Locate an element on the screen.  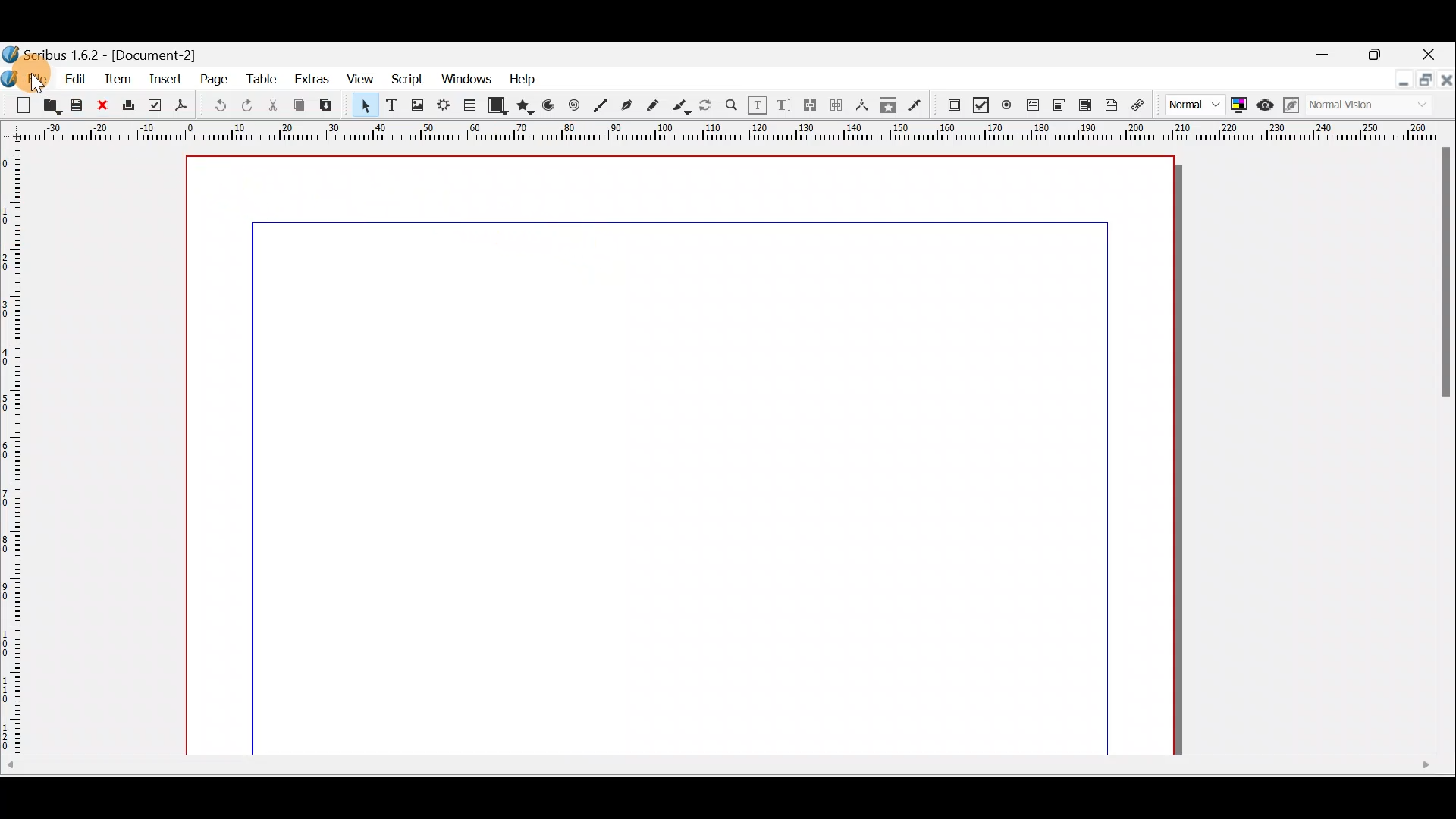
Unlink text frames is located at coordinates (836, 105).